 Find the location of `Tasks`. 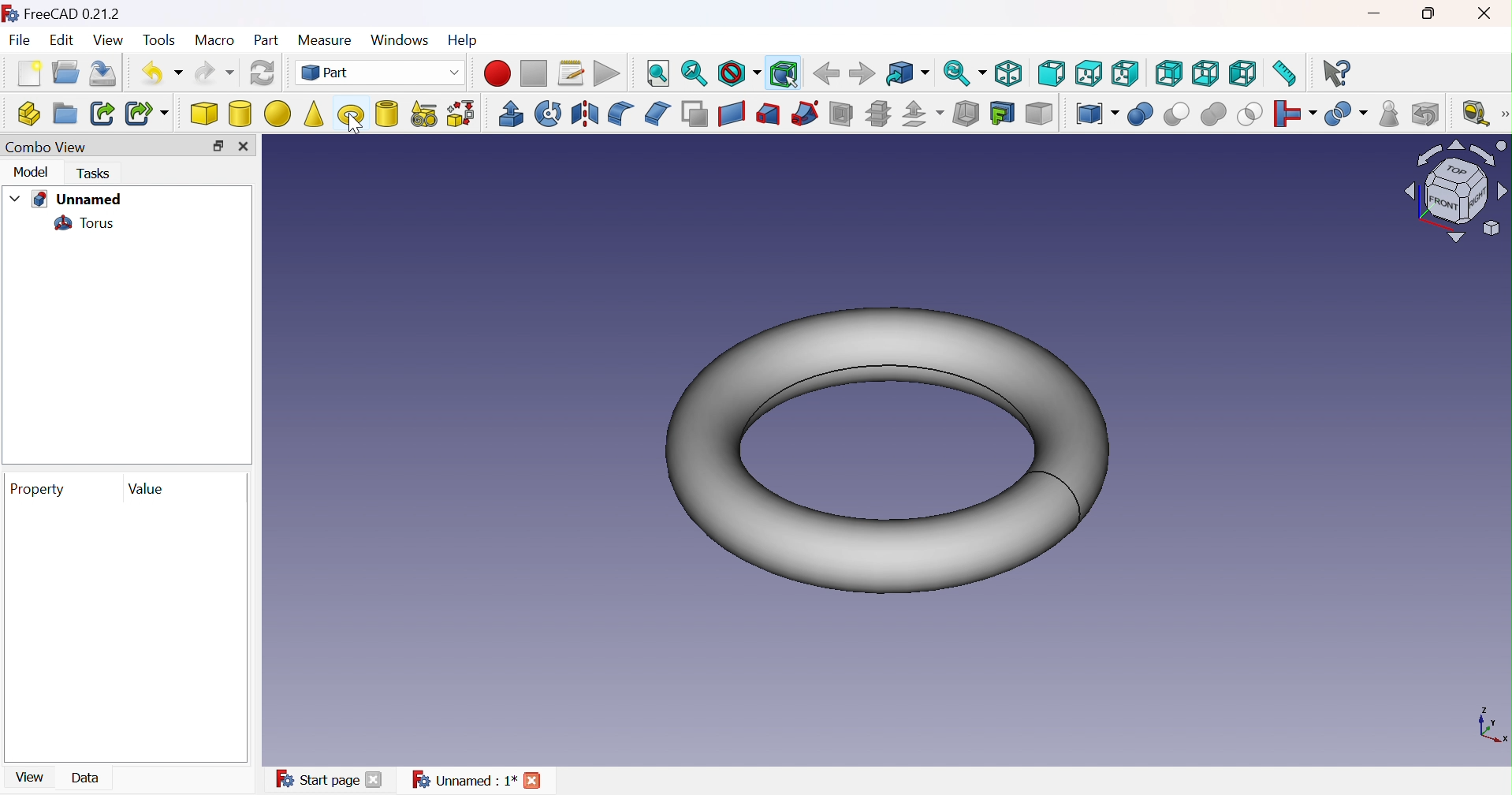

Tasks is located at coordinates (95, 174).